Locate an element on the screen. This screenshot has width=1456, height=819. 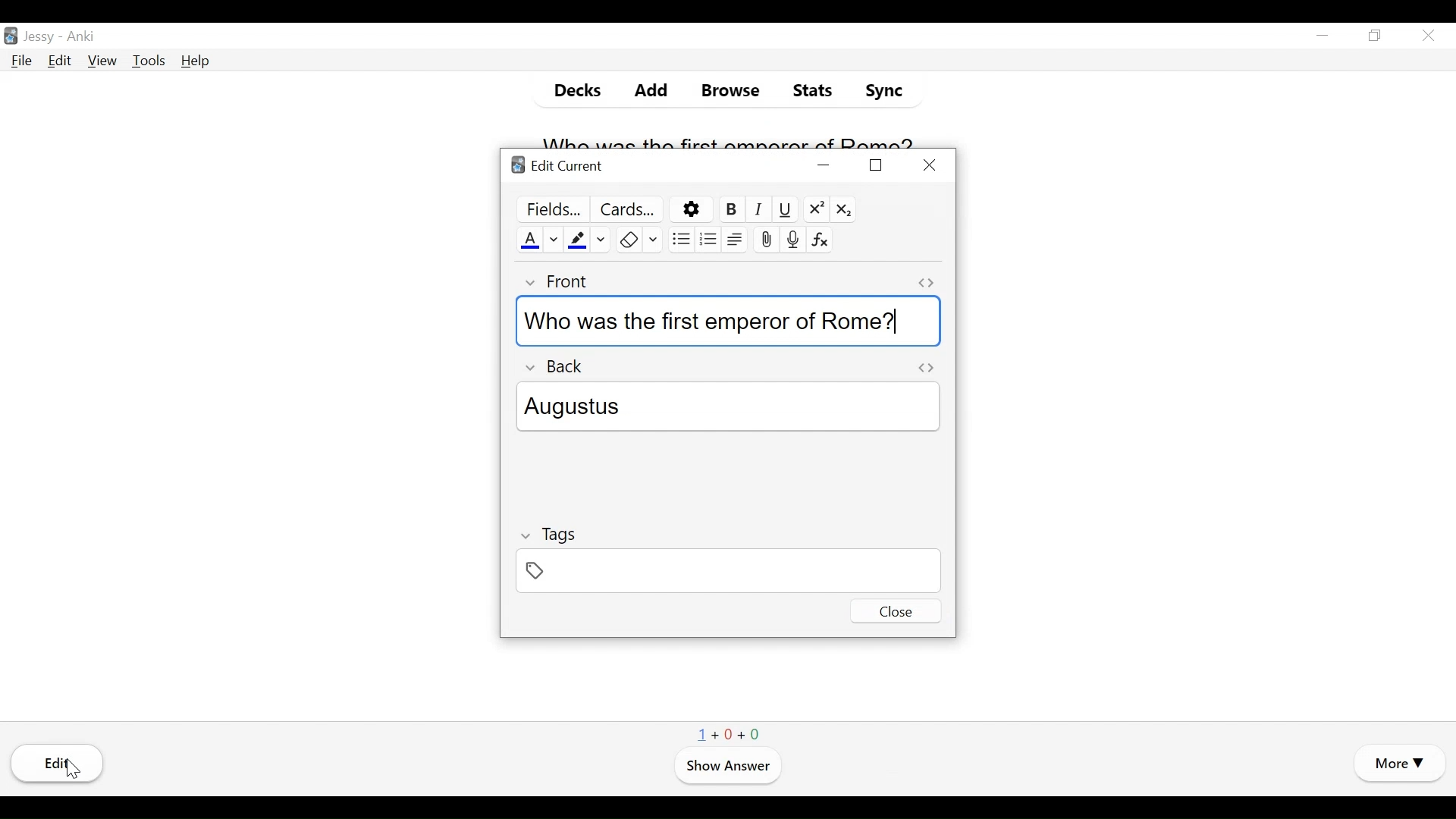
Close is located at coordinates (895, 611).